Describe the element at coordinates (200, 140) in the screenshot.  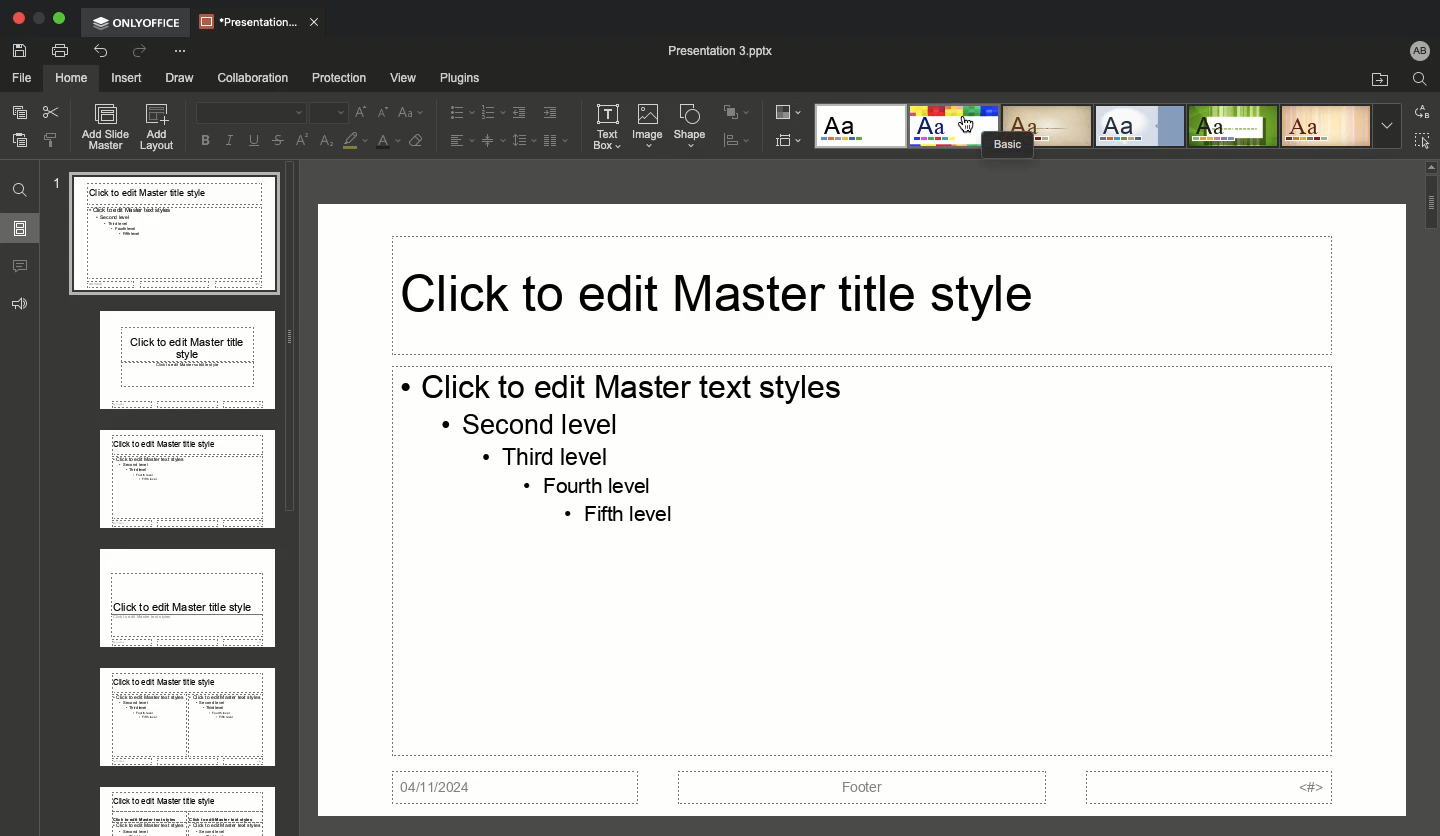
I see `Bold` at that location.